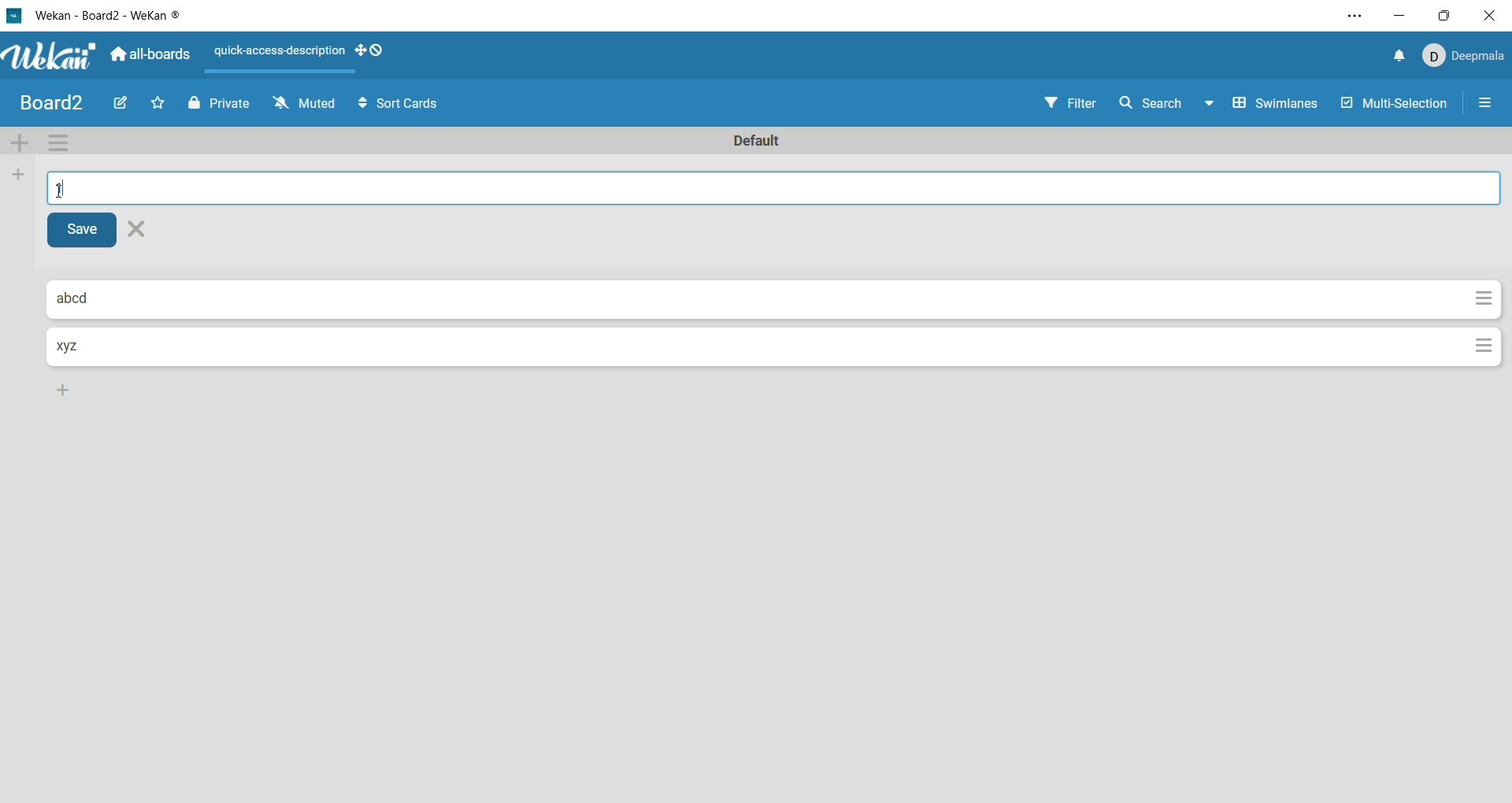 Image resolution: width=1512 pixels, height=803 pixels. What do you see at coordinates (220, 102) in the screenshot?
I see `private` at bounding box center [220, 102].